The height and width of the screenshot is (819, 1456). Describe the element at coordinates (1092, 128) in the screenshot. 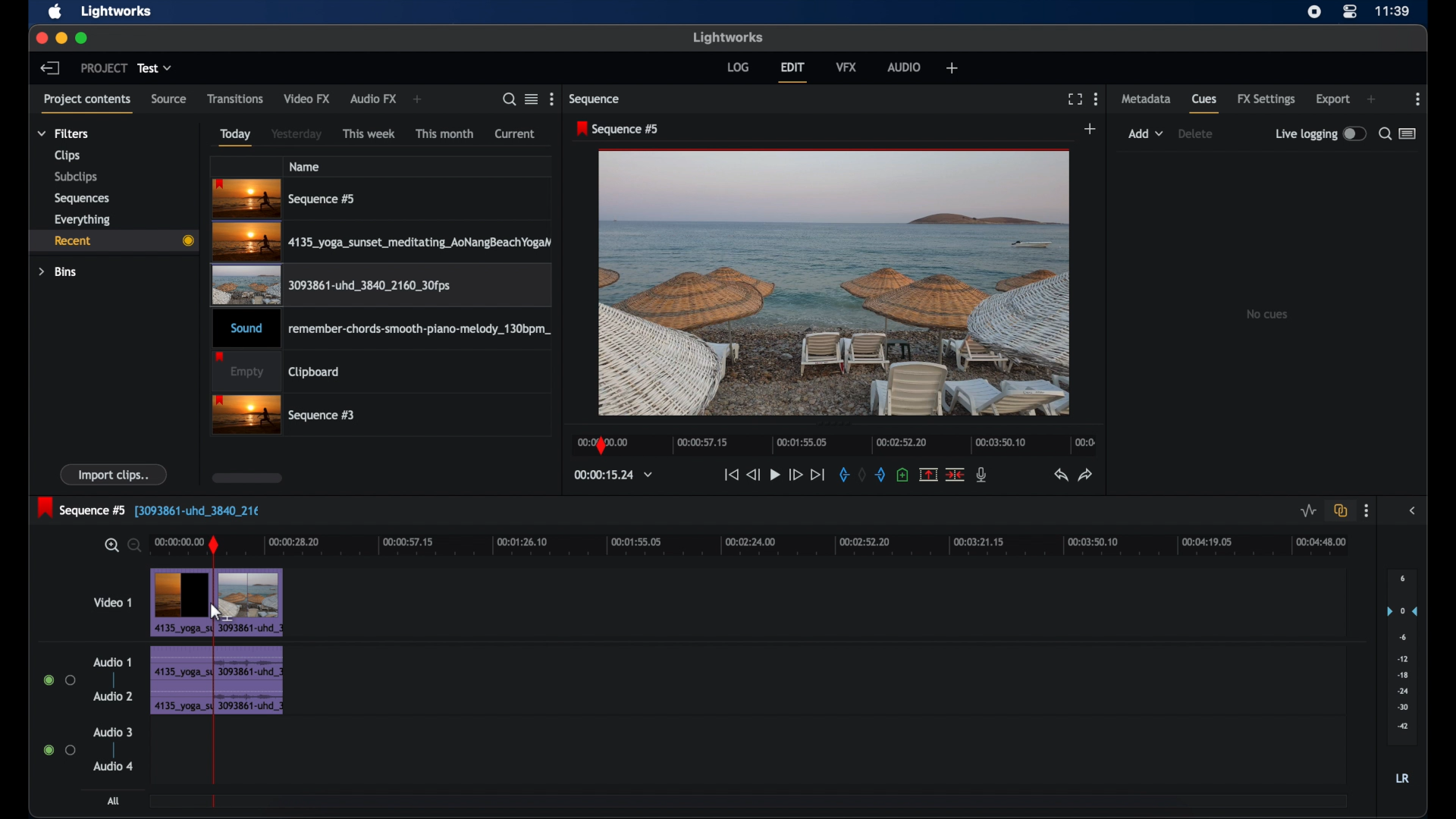

I see `add` at that location.